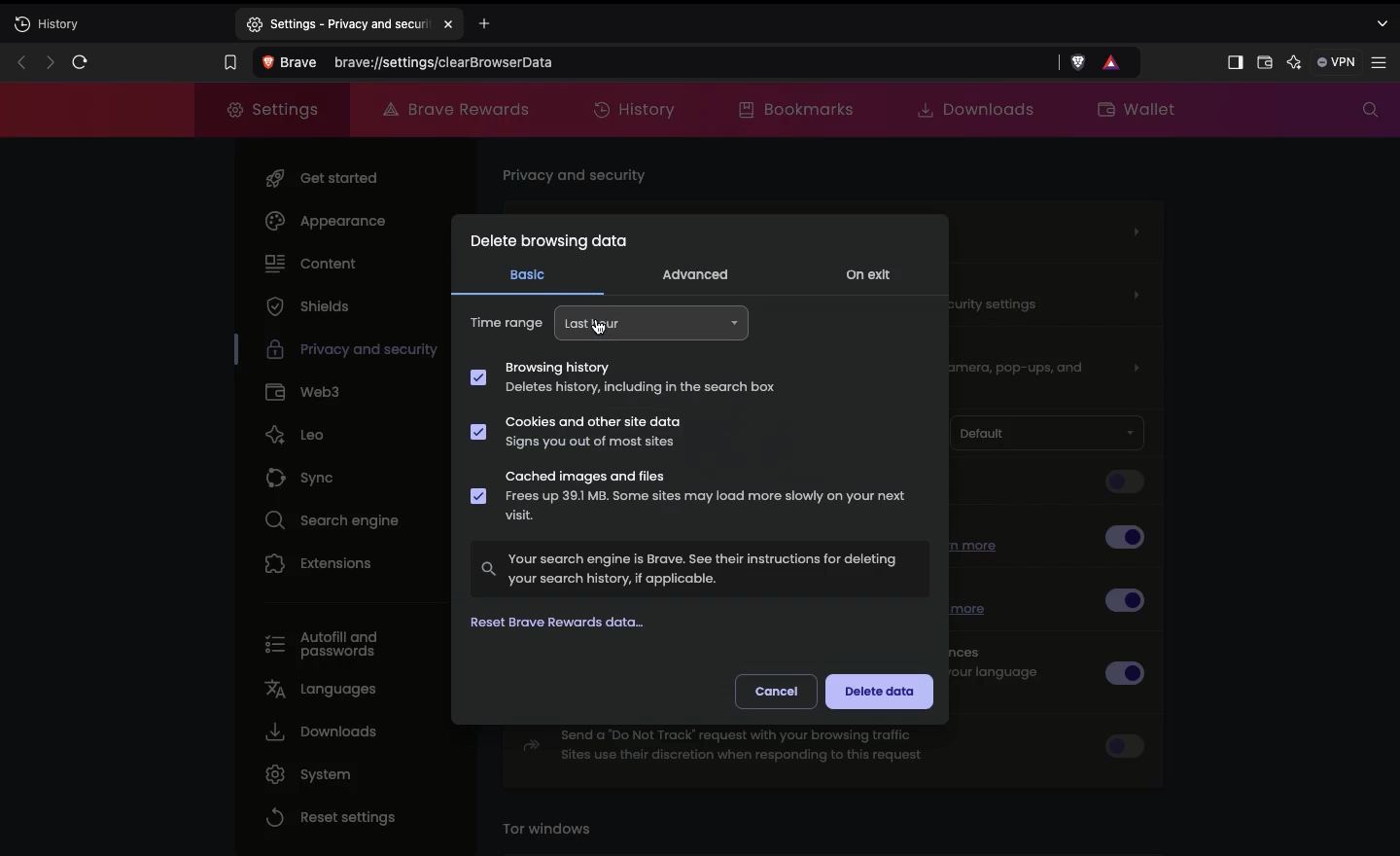 This screenshot has height=856, width=1400. I want to click on Cancel, so click(777, 690).